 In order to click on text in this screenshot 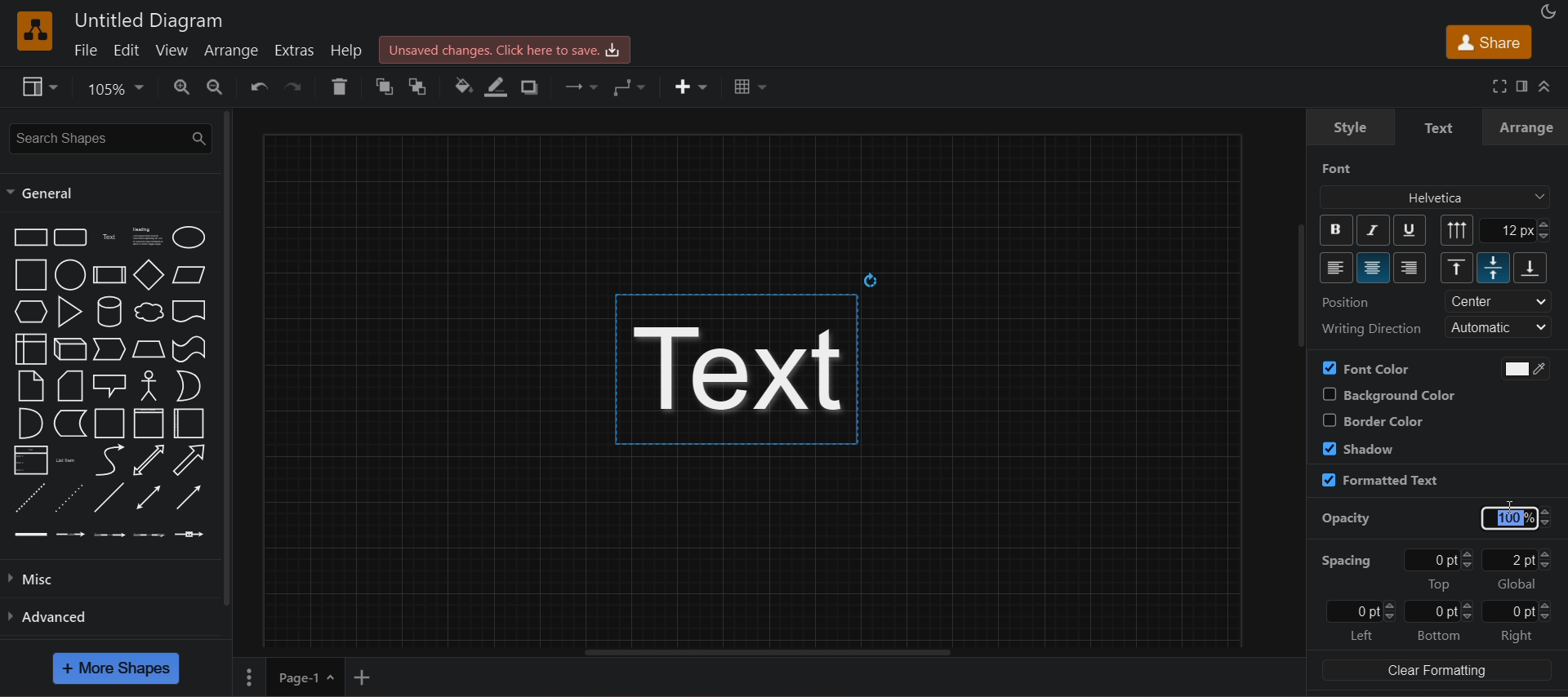, I will do `click(1441, 128)`.